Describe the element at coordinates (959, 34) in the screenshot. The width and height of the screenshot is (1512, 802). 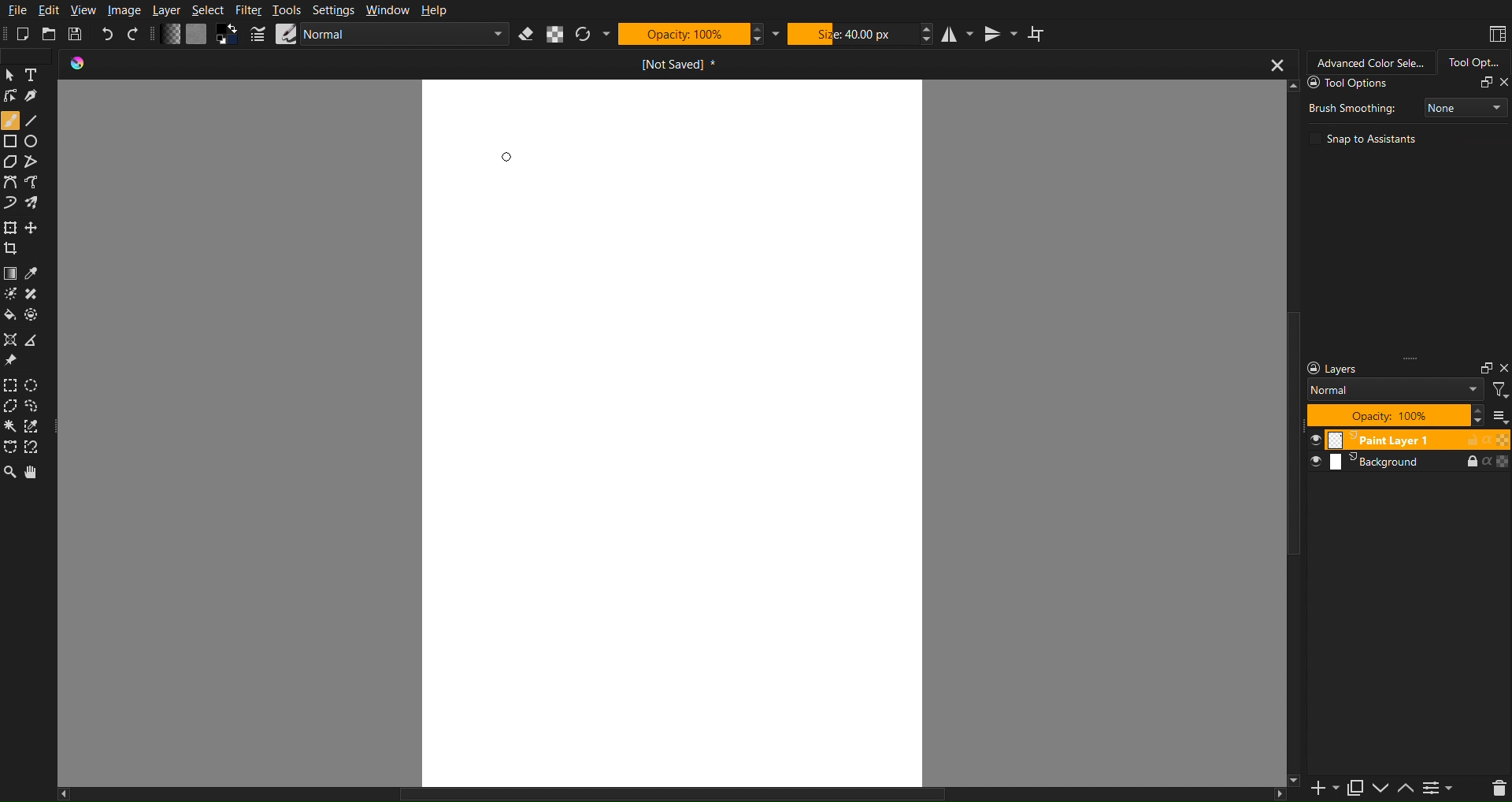
I see `Horizontal Mirror` at that location.